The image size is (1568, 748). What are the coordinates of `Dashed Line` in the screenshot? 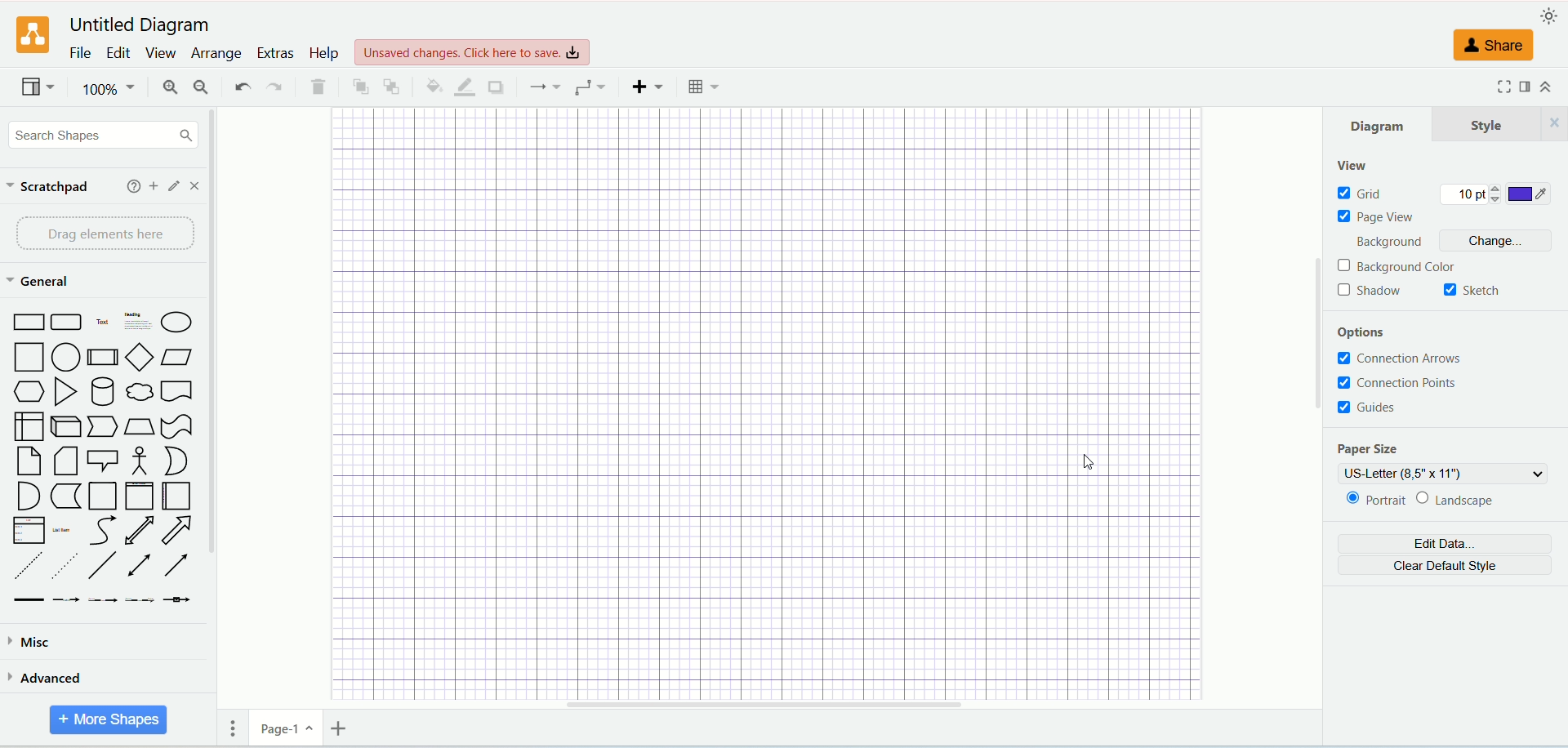 It's located at (28, 567).